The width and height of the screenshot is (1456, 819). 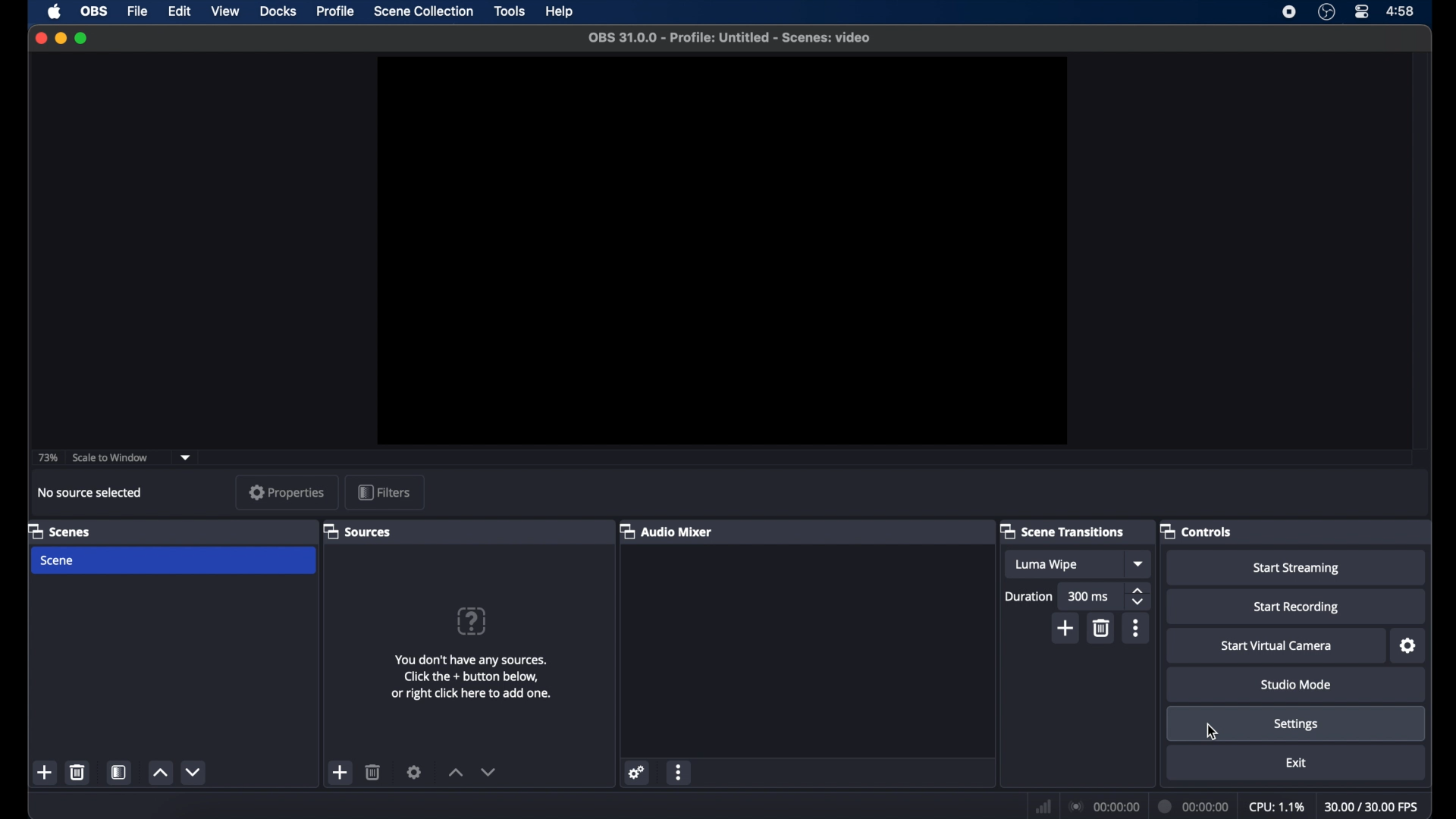 I want to click on control center, so click(x=1360, y=11).